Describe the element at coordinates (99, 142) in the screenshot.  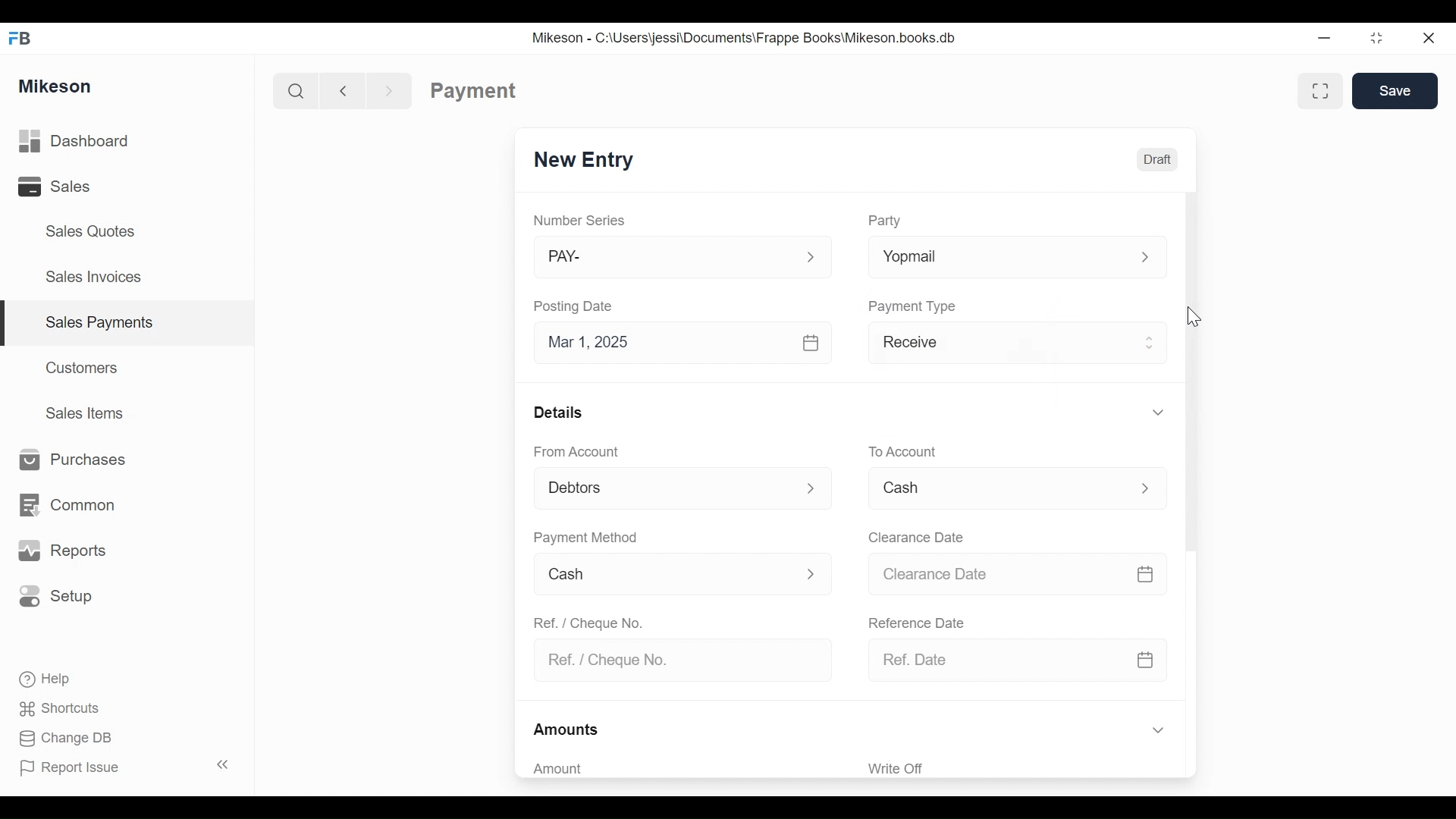
I see `Dashboard` at that location.